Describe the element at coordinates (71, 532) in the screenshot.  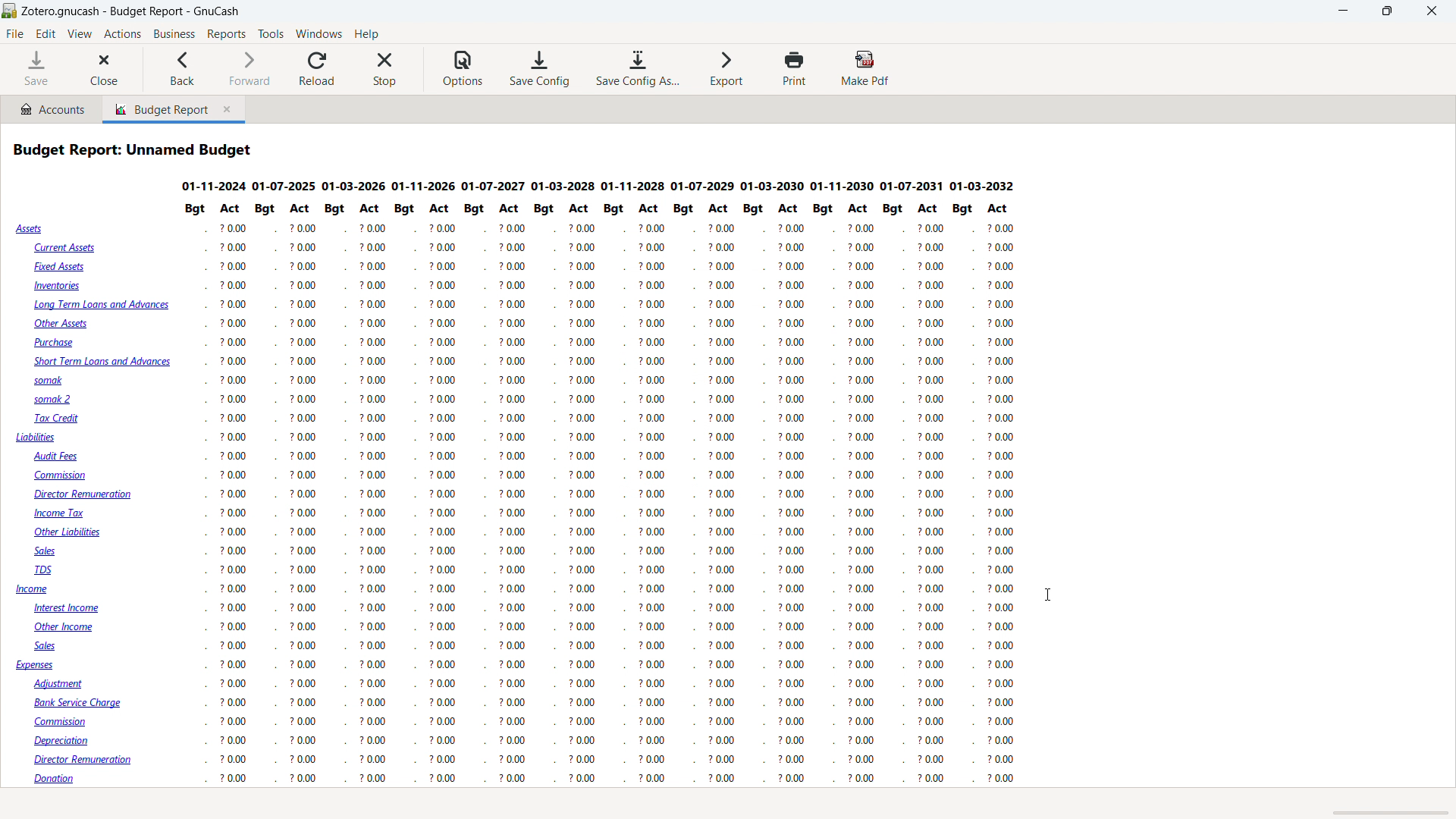
I see `Other Liabilities` at that location.